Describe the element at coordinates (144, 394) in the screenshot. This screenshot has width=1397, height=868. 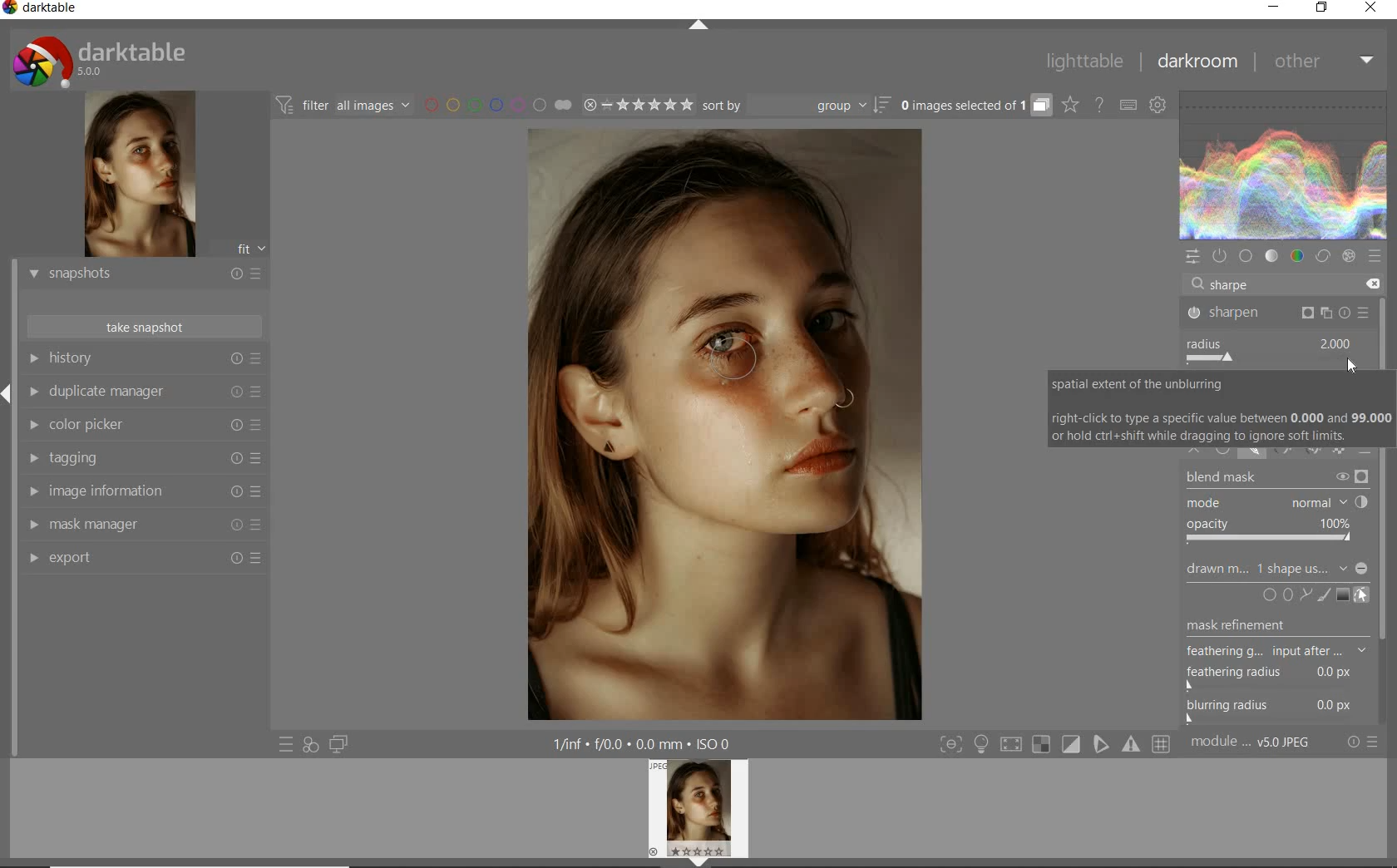
I see `duplicate manager` at that location.